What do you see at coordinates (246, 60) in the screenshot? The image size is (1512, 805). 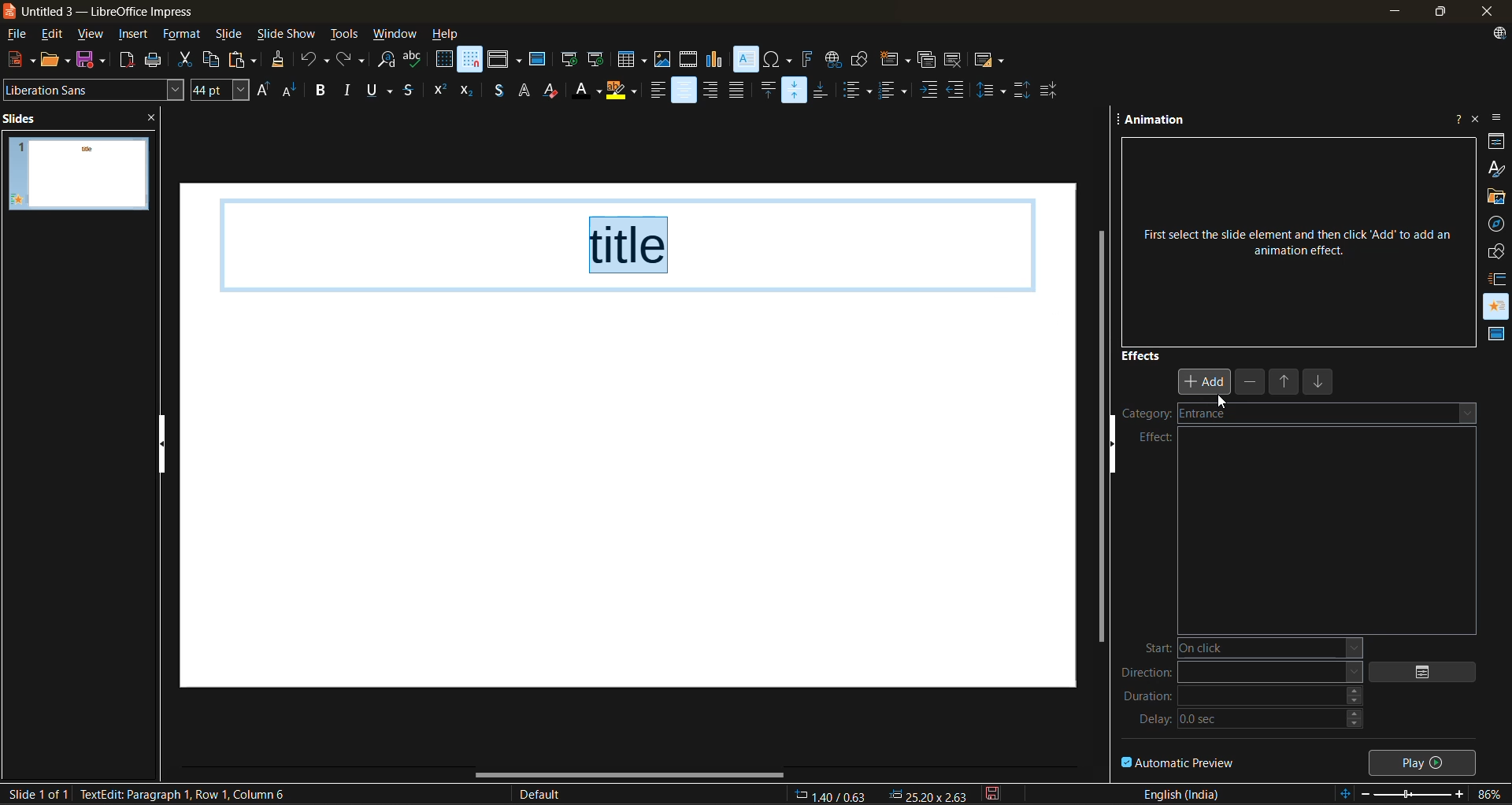 I see `paste` at bounding box center [246, 60].